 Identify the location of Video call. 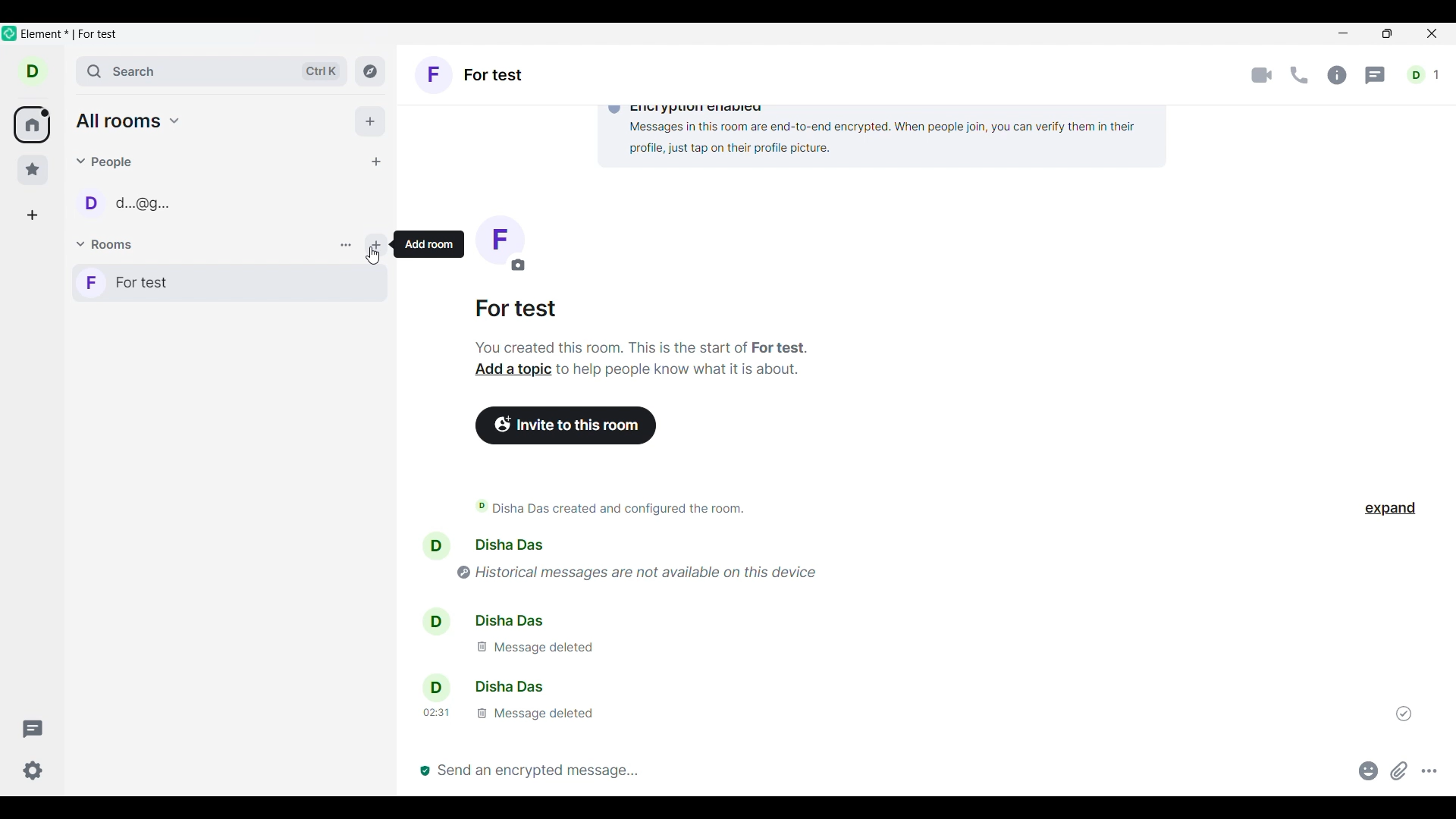
(1262, 75).